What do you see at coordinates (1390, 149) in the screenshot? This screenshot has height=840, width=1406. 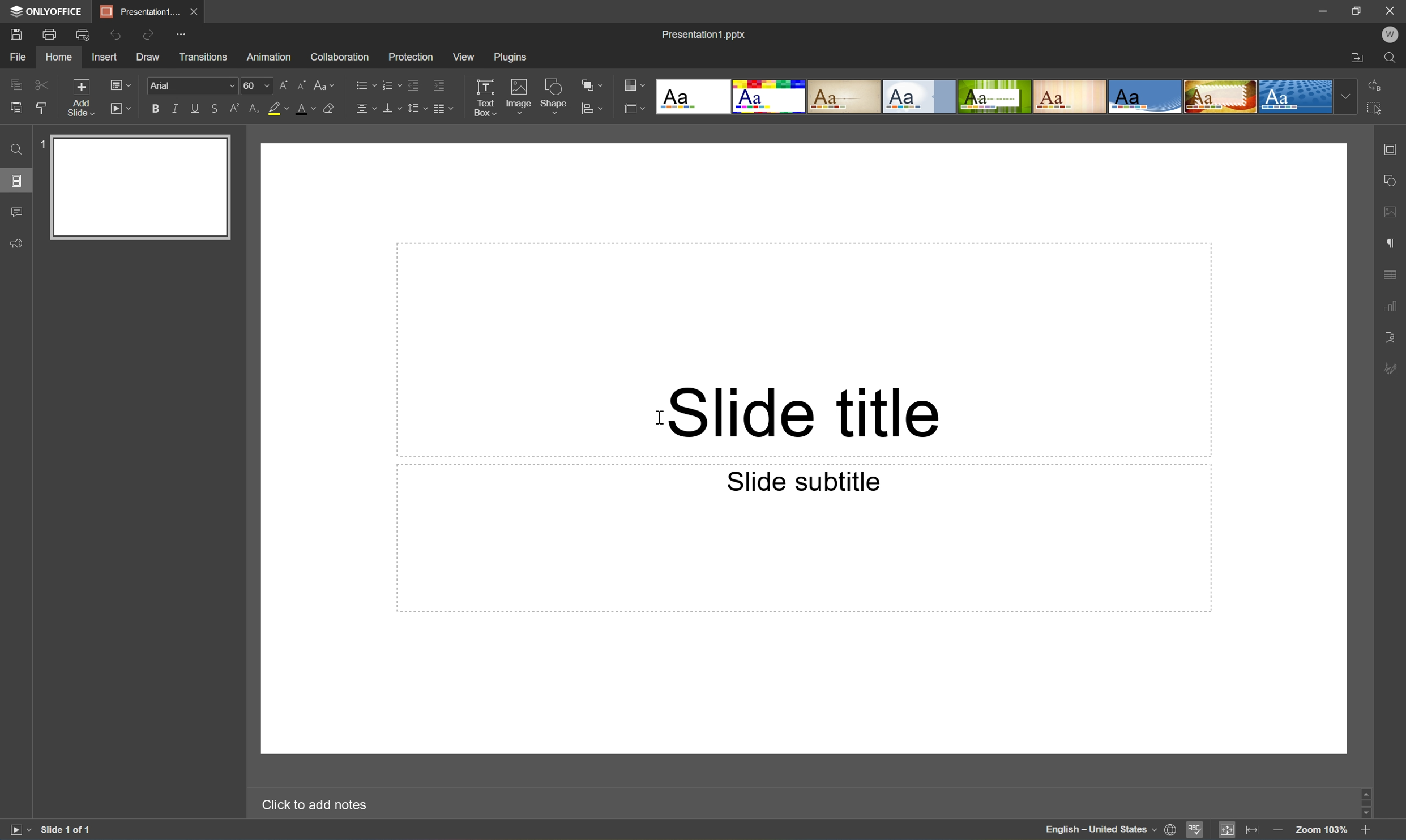 I see `Slide settings` at bounding box center [1390, 149].